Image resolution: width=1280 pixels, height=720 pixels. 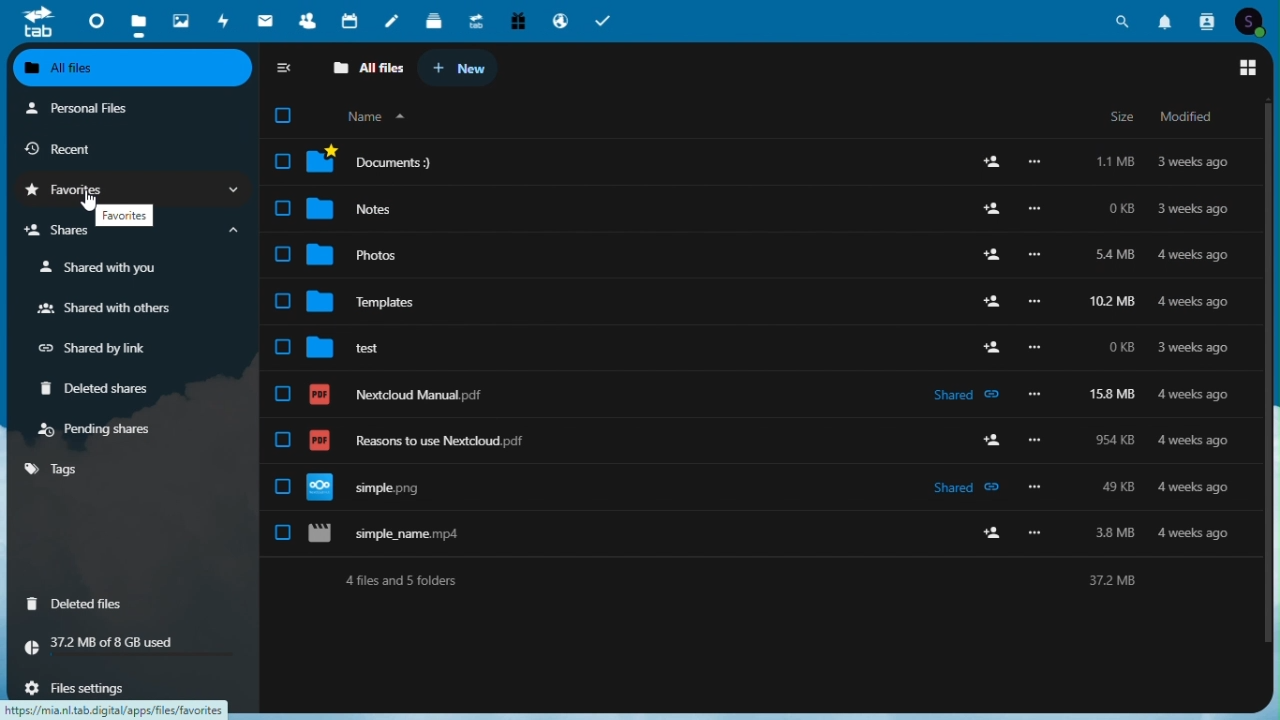 I want to click on Shared by link, so click(x=93, y=348).